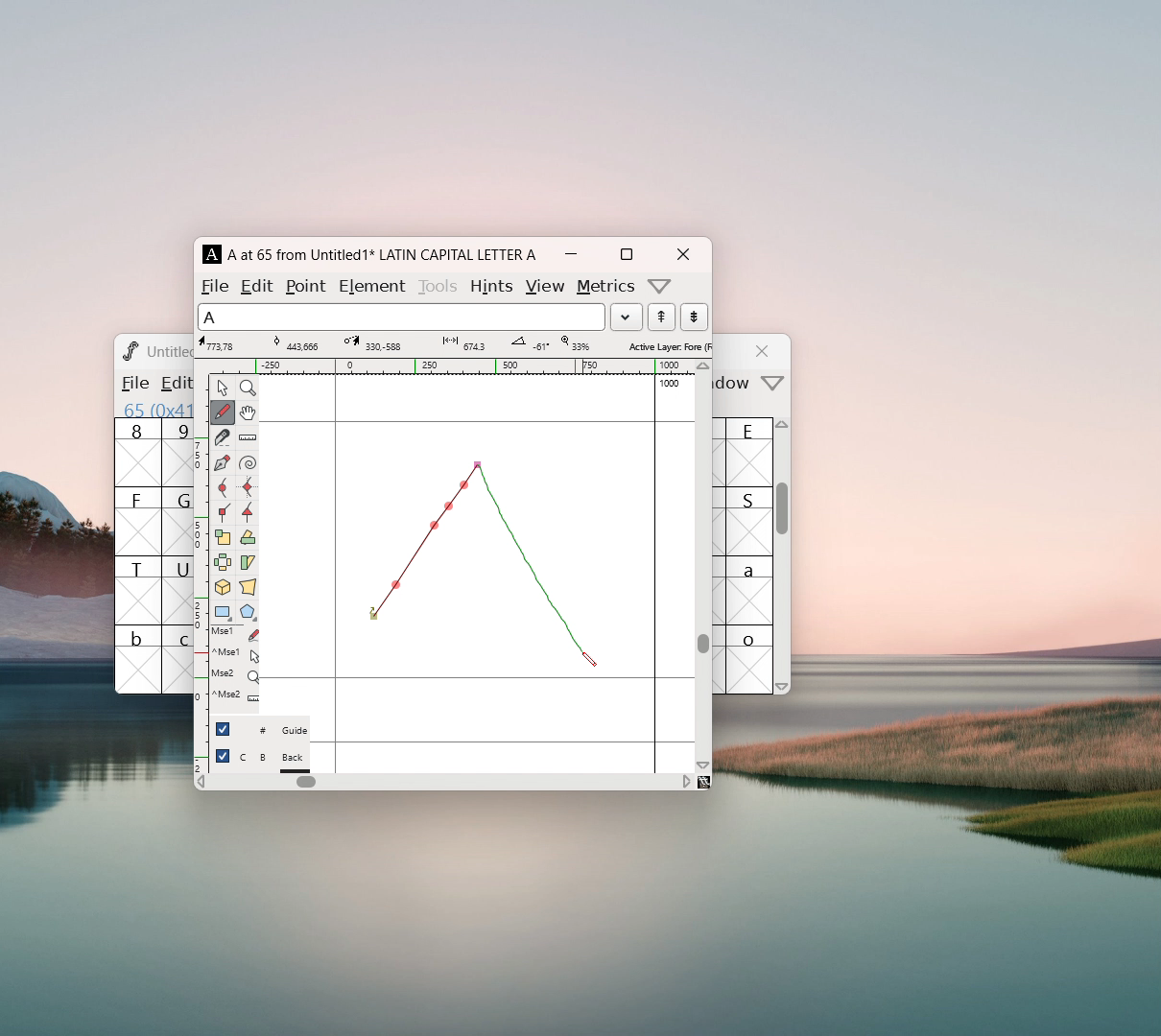  What do you see at coordinates (138, 659) in the screenshot?
I see `b` at bounding box center [138, 659].